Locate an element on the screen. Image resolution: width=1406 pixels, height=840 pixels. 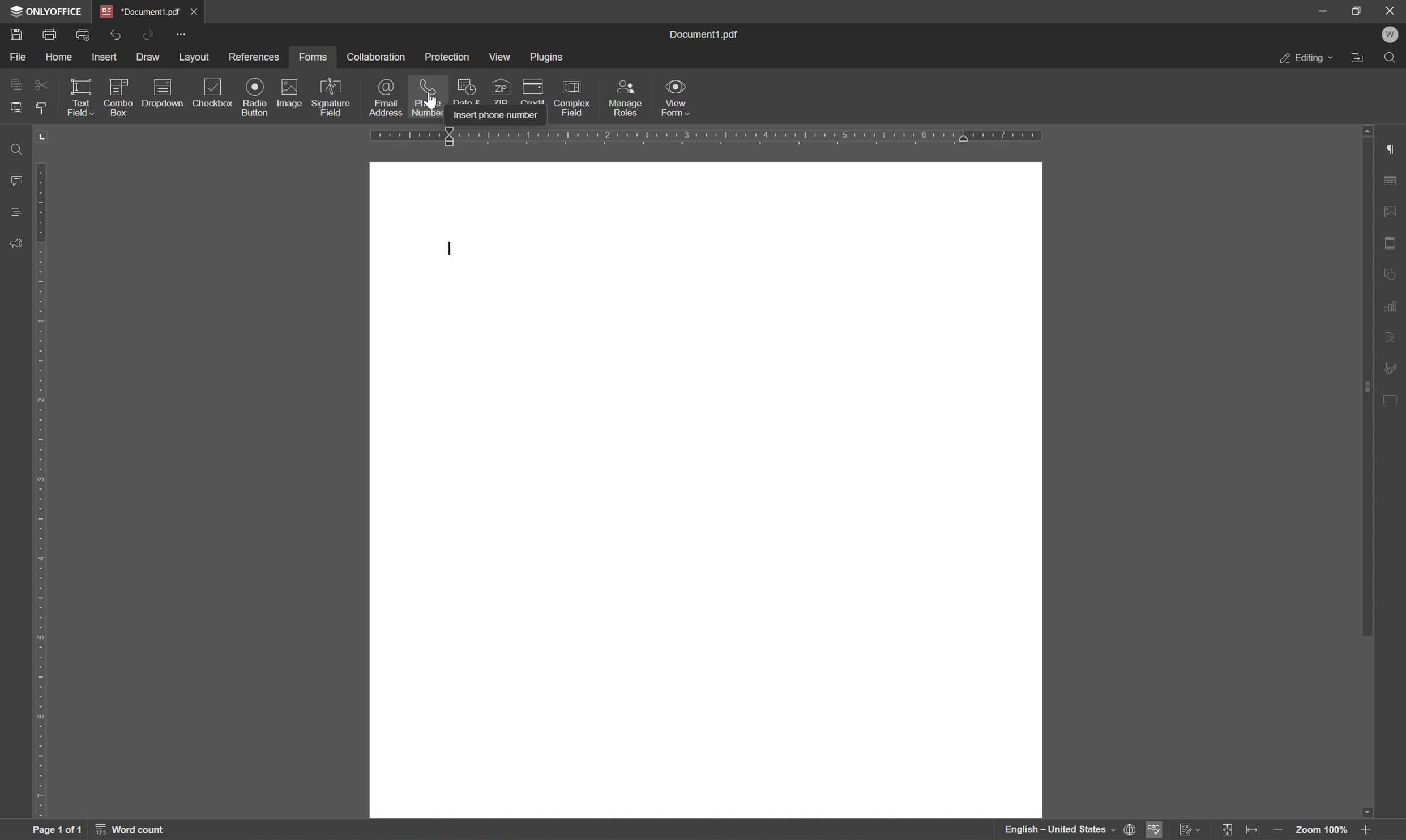
word count is located at coordinates (134, 829).